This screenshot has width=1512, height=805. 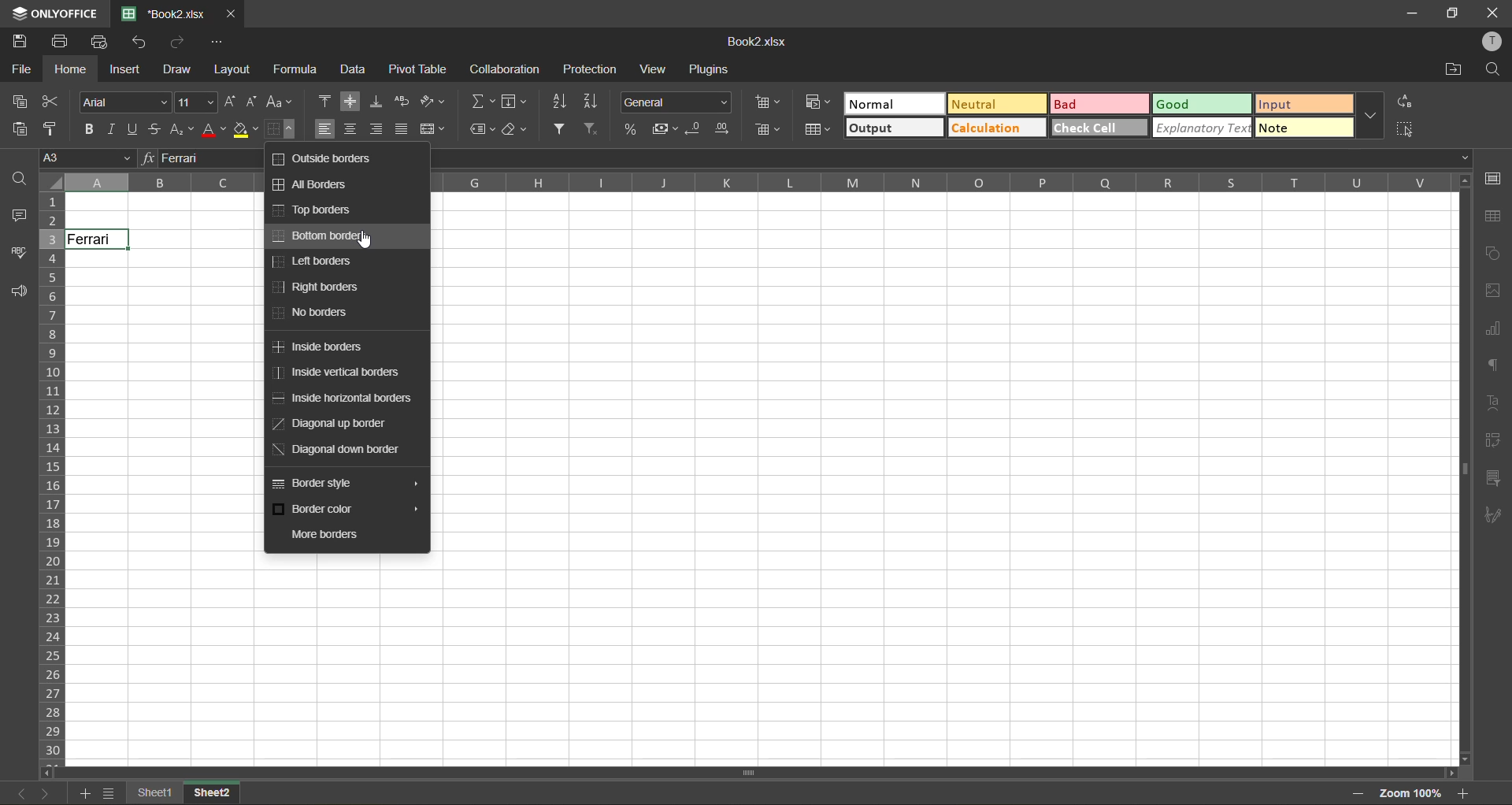 What do you see at coordinates (19, 214) in the screenshot?
I see `comments` at bounding box center [19, 214].